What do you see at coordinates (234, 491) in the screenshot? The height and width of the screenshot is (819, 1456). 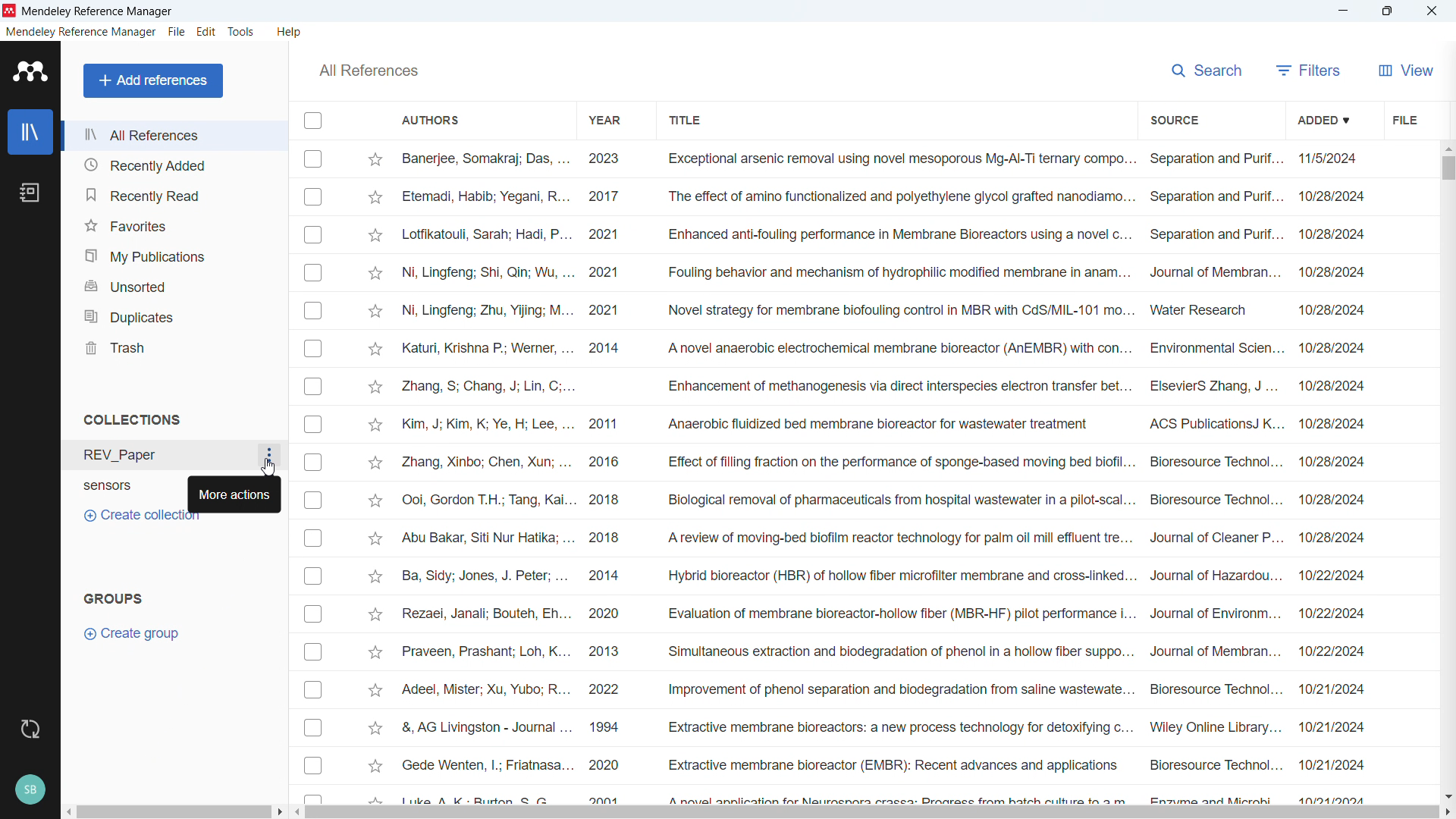 I see `More actions ` at bounding box center [234, 491].